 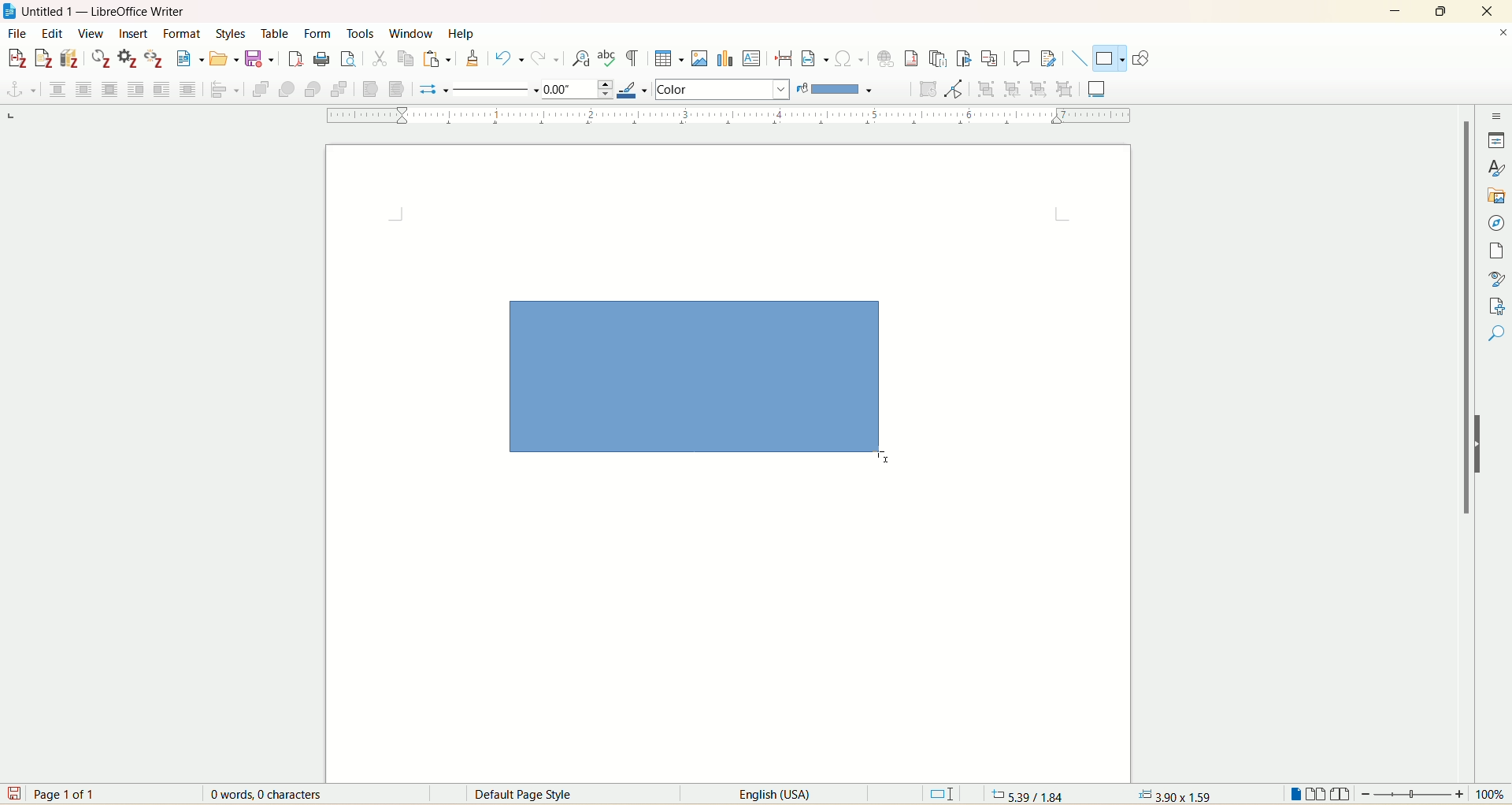 What do you see at coordinates (887, 57) in the screenshot?
I see `insert hyperlink` at bounding box center [887, 57].